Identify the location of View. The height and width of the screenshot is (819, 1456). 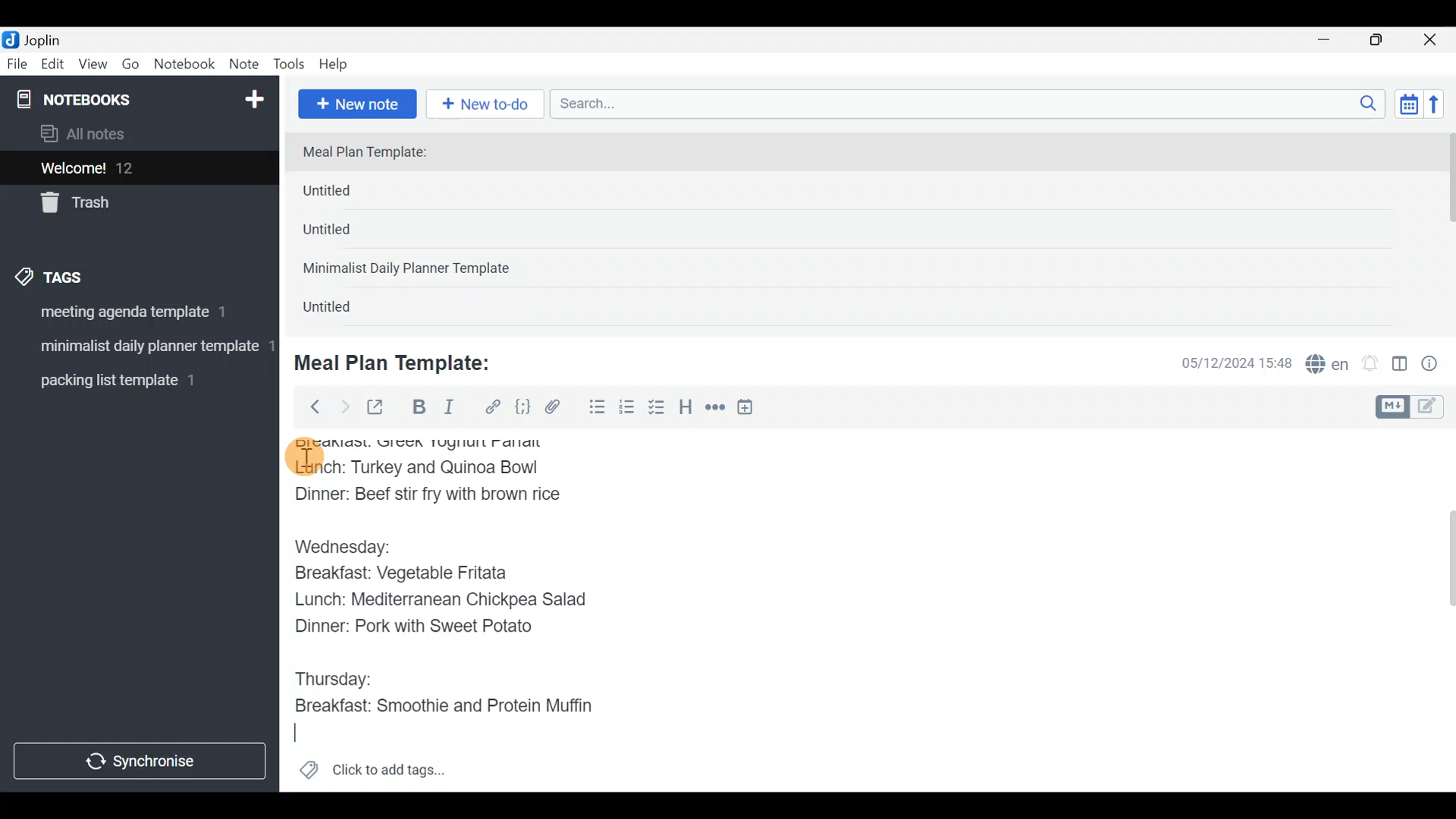
(93, 67).